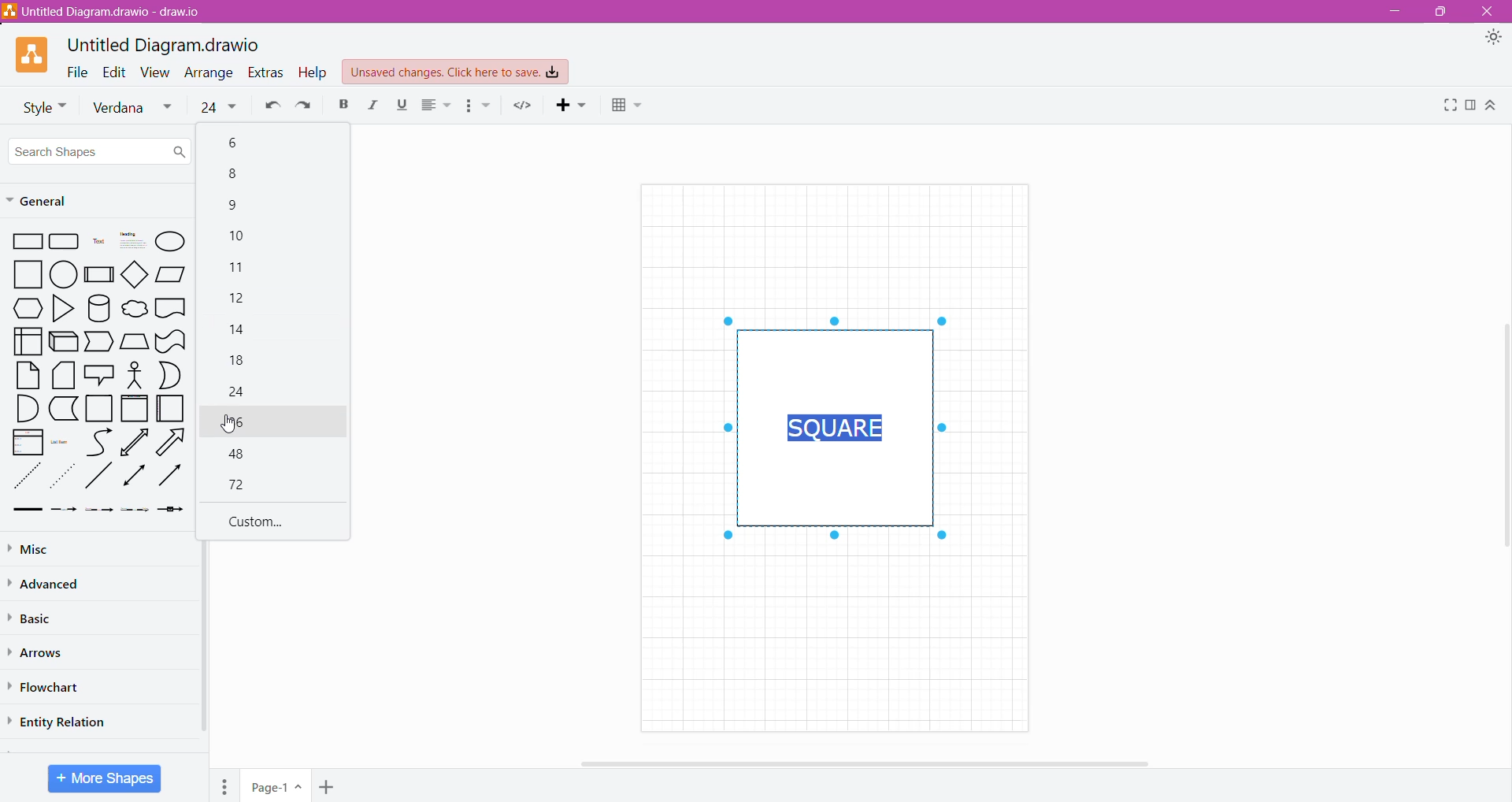 The image size is (1512, 802). Describe the element at coordinates (136, 513) in the screenshot. I see `Dotted Arrow` at that location.